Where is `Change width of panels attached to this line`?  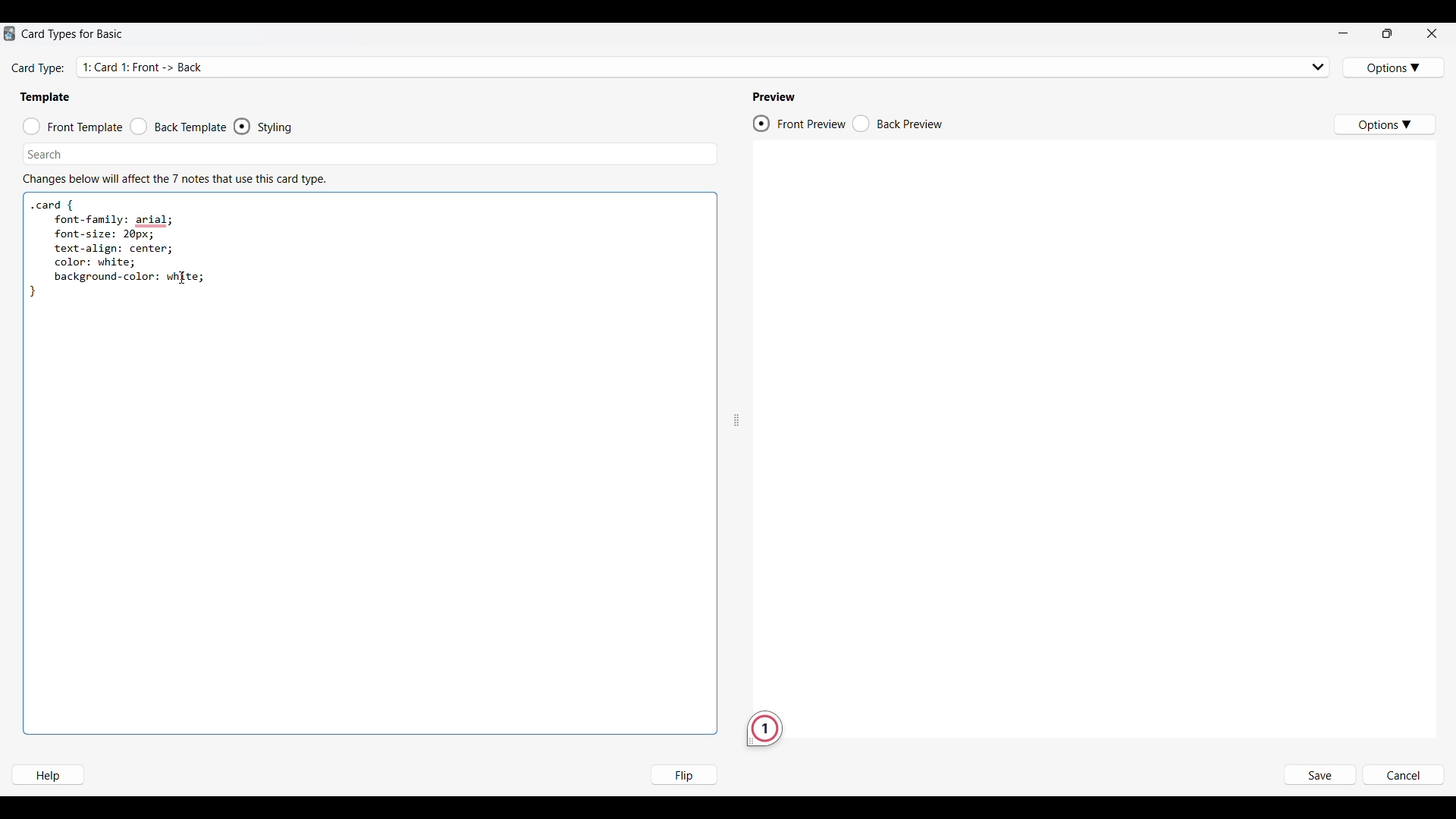 Change width of panels attached to this line is located at coordinates (736, 383).